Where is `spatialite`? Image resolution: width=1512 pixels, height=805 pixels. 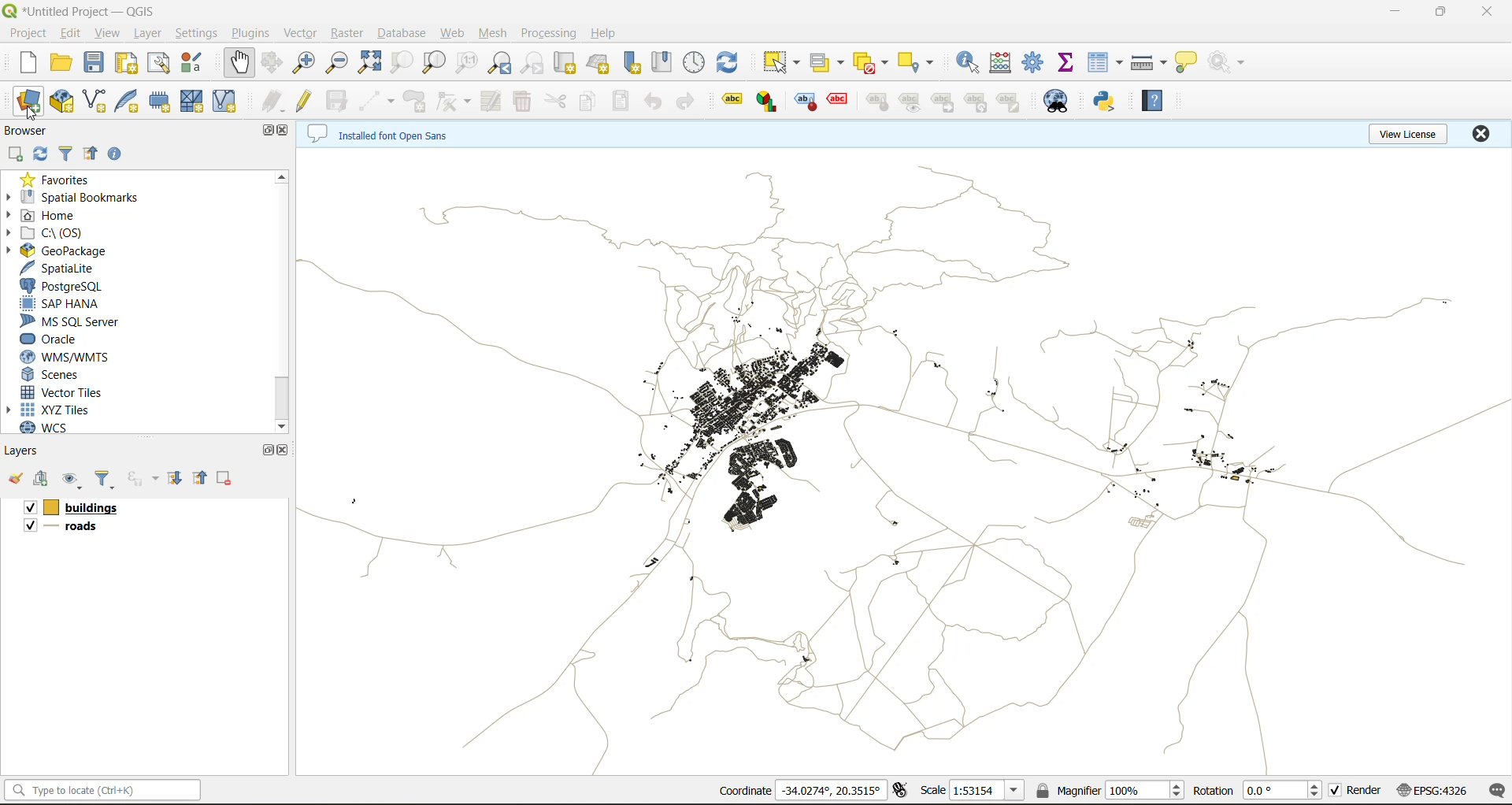 spatialite is located at coordinates (65, 269).